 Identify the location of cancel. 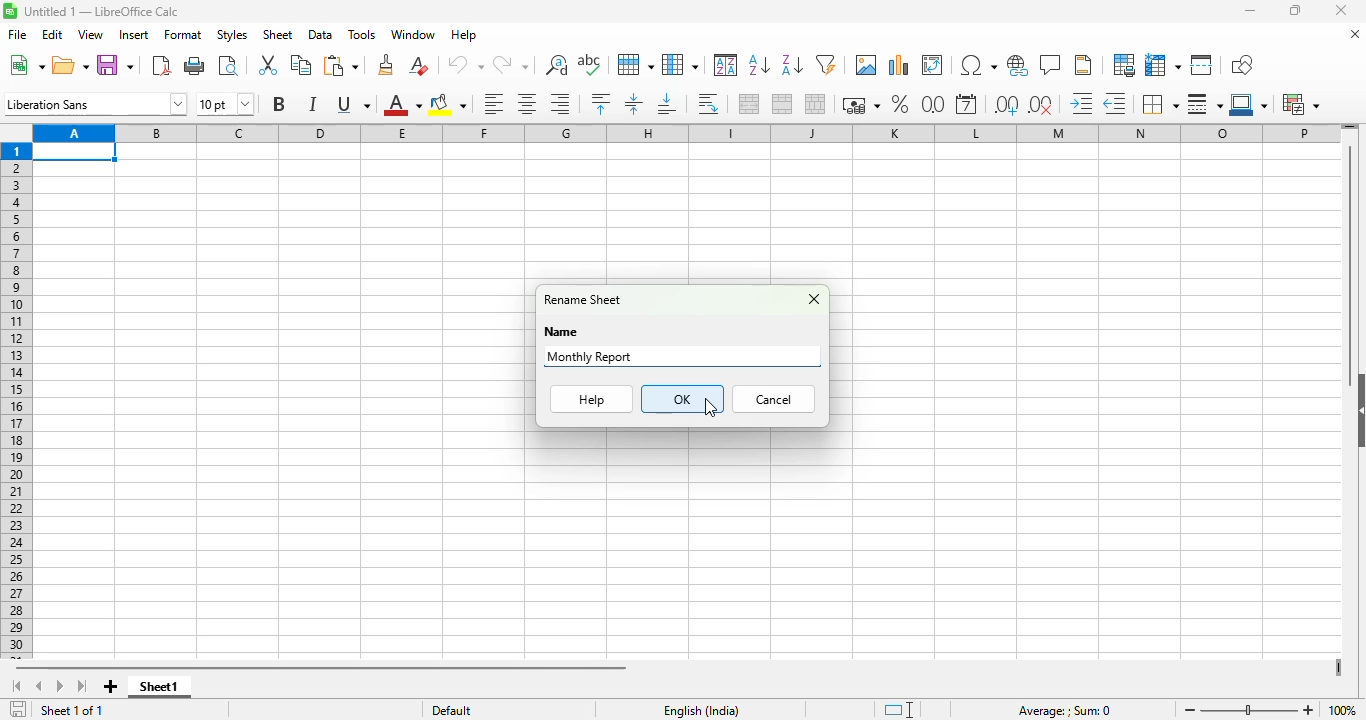
(772, 399).